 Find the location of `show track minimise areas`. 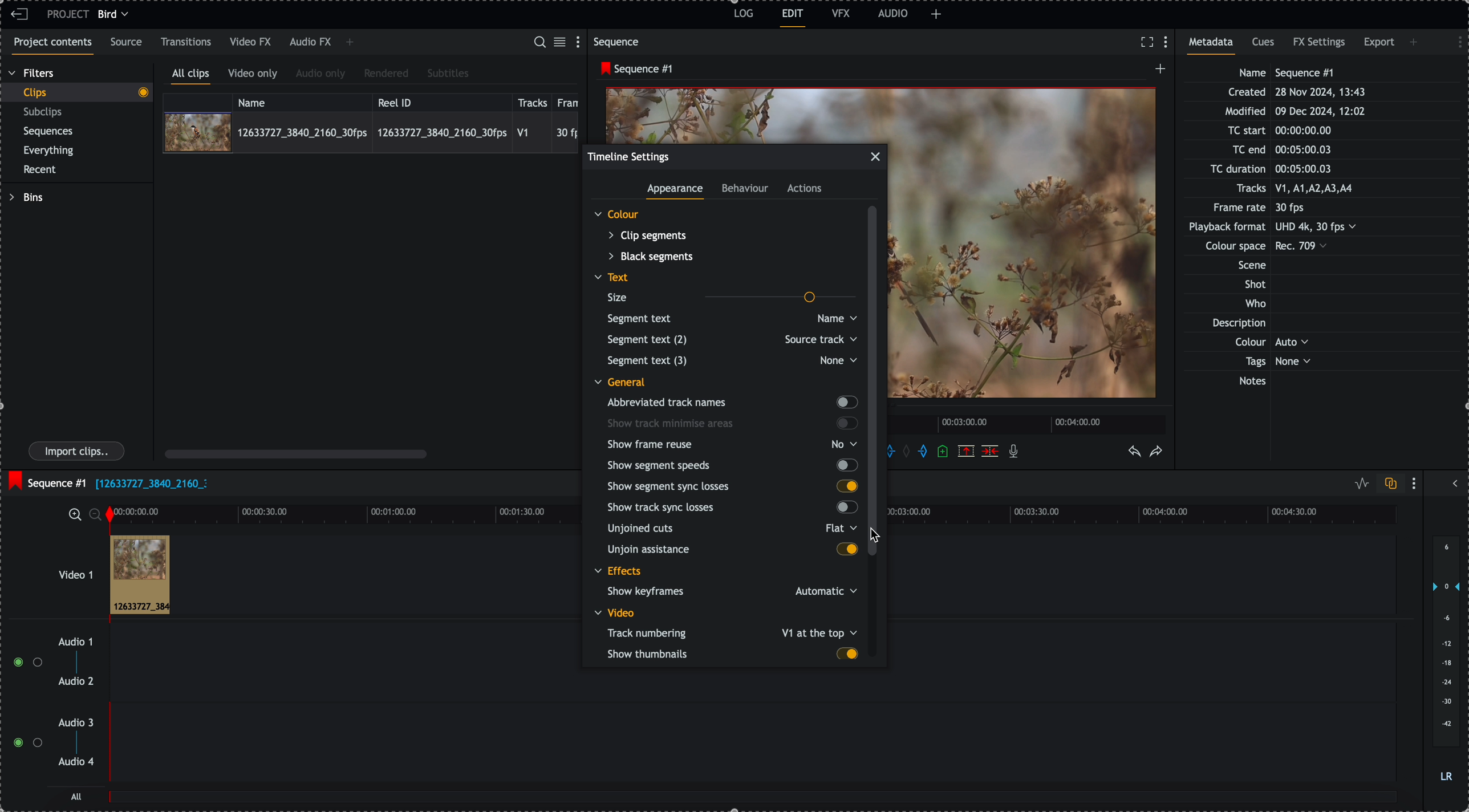

show track minimise areas is located at coordinates (731, 424).